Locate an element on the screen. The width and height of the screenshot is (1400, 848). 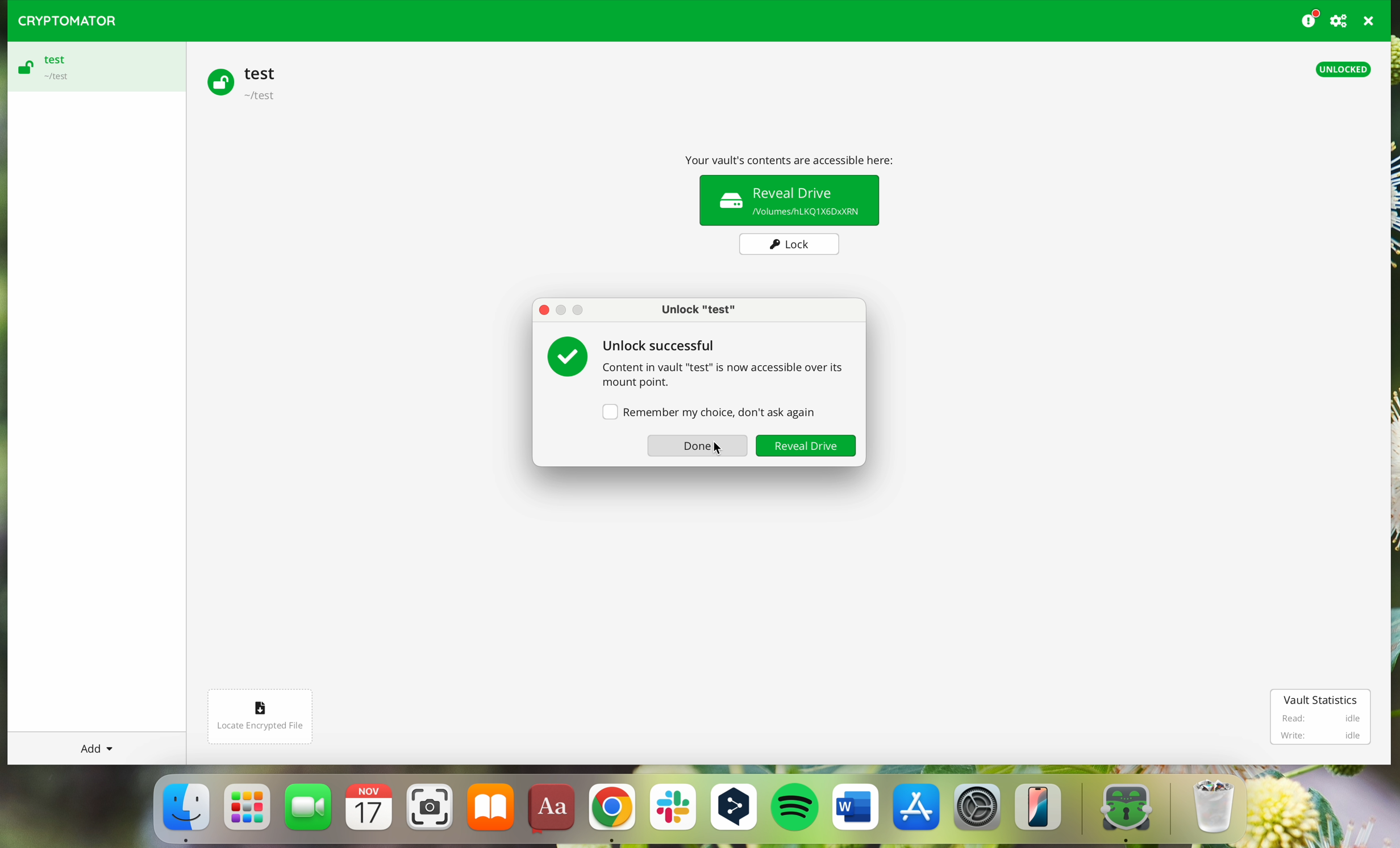
Enter password for "test" is located at coordinates (680, 348).